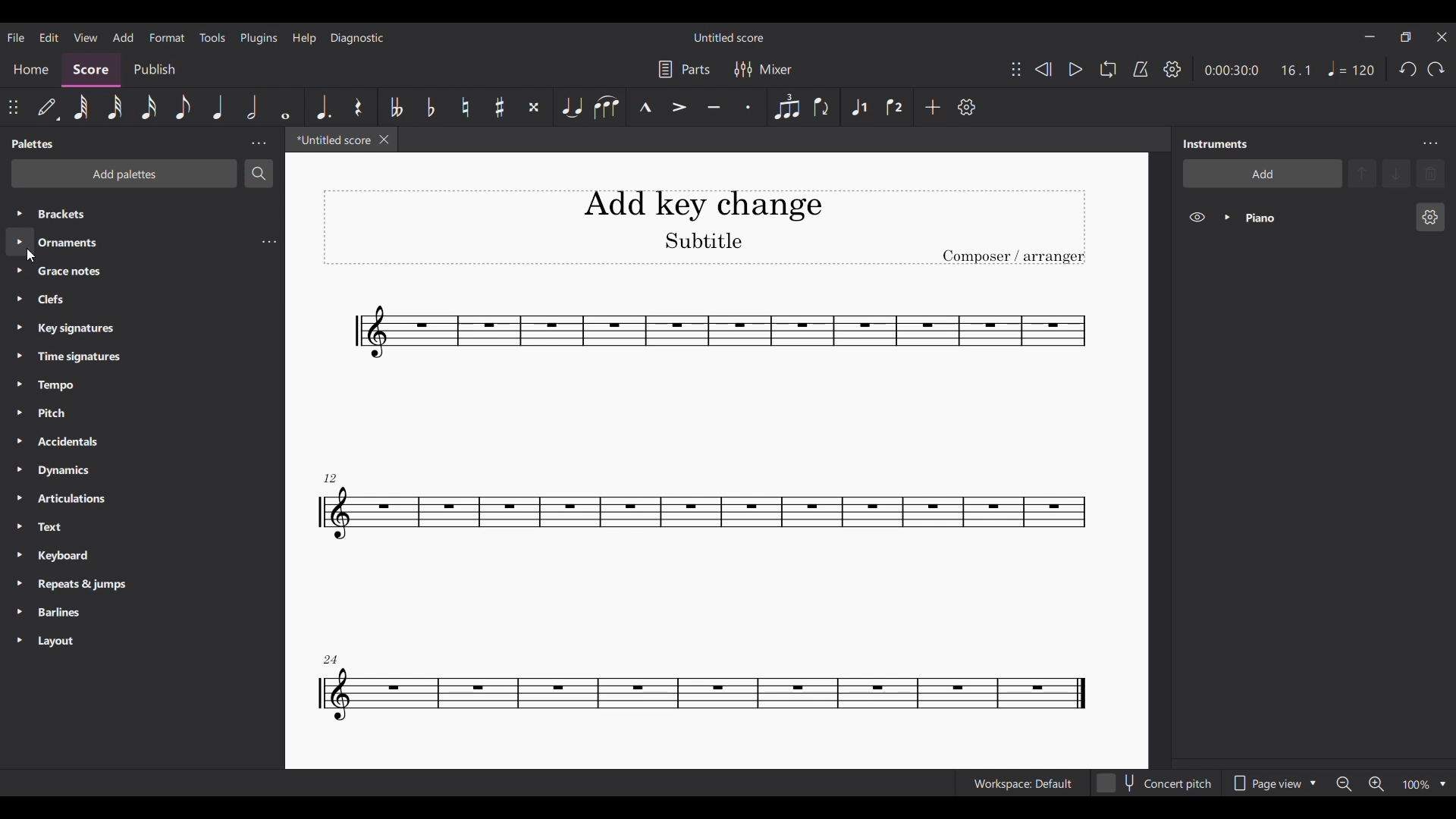 The height and width of the screenshot is (819, 1456). What do you see at coordinates (645, 107) in the screenshot?
I see `Marcato` at bounding box center [645, 107].